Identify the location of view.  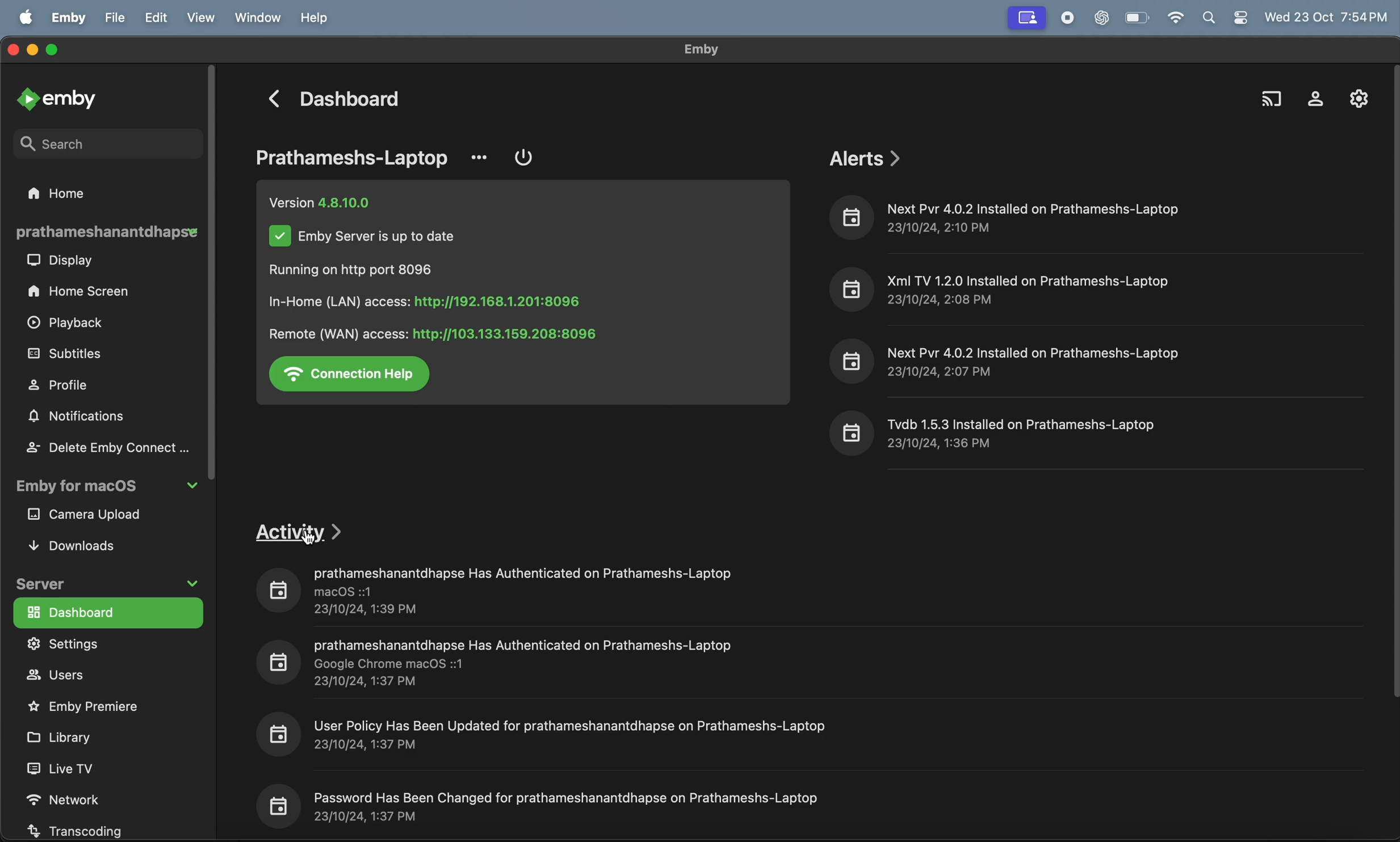
(205, 17).